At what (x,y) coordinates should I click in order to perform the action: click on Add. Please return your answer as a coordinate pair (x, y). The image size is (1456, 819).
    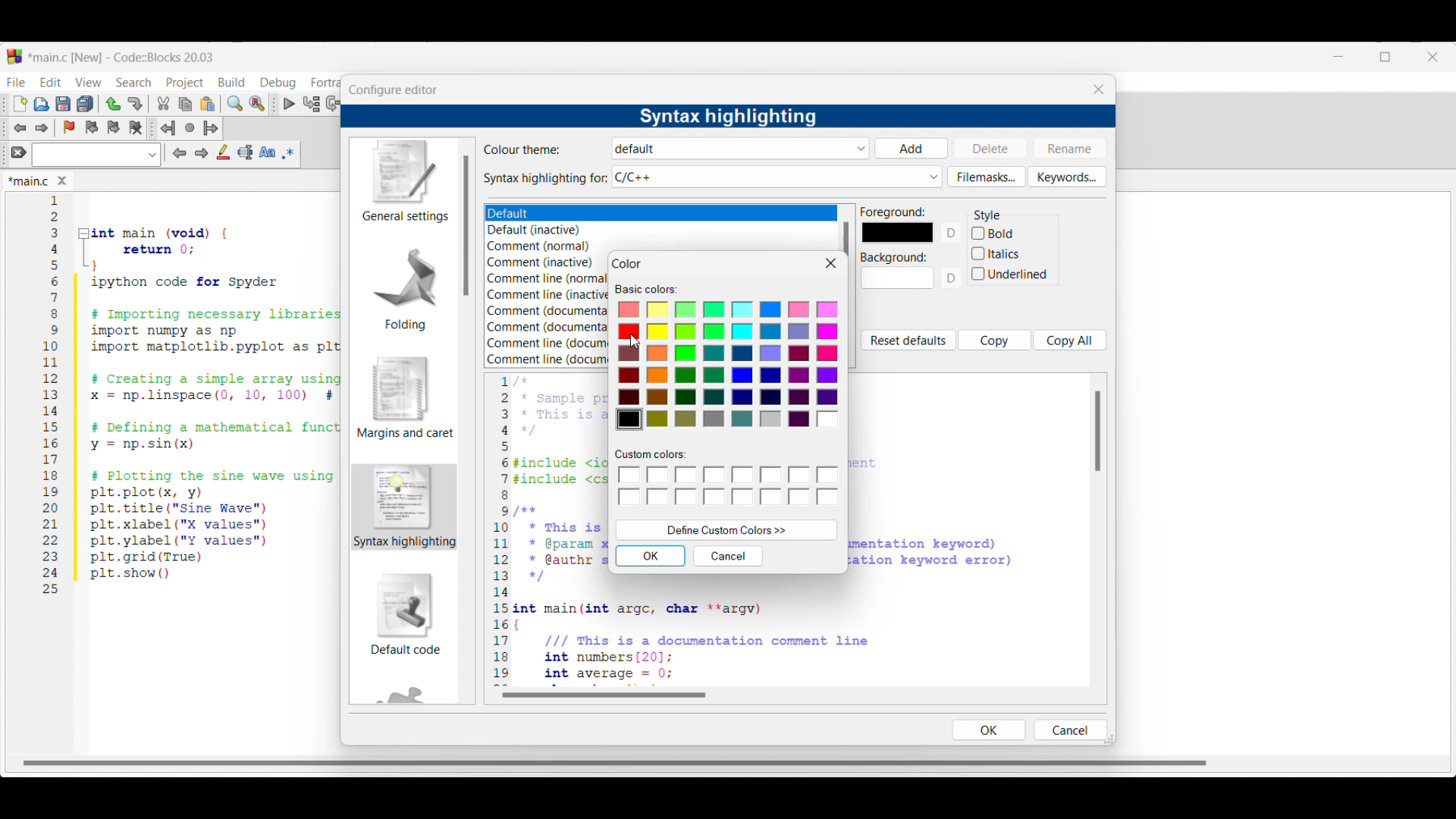
    Looking at the image, I should click on (911, 149).